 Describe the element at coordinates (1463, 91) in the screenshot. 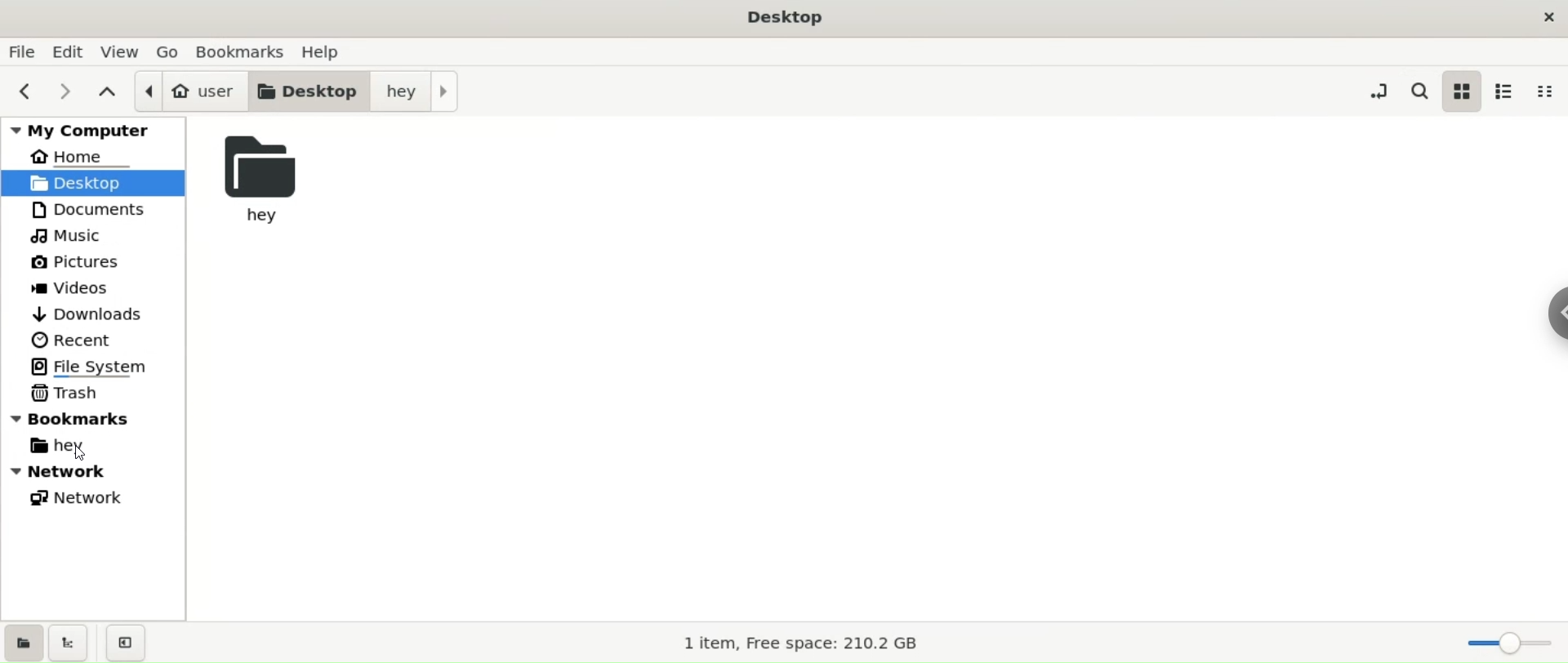

I see `icon view` at that location.